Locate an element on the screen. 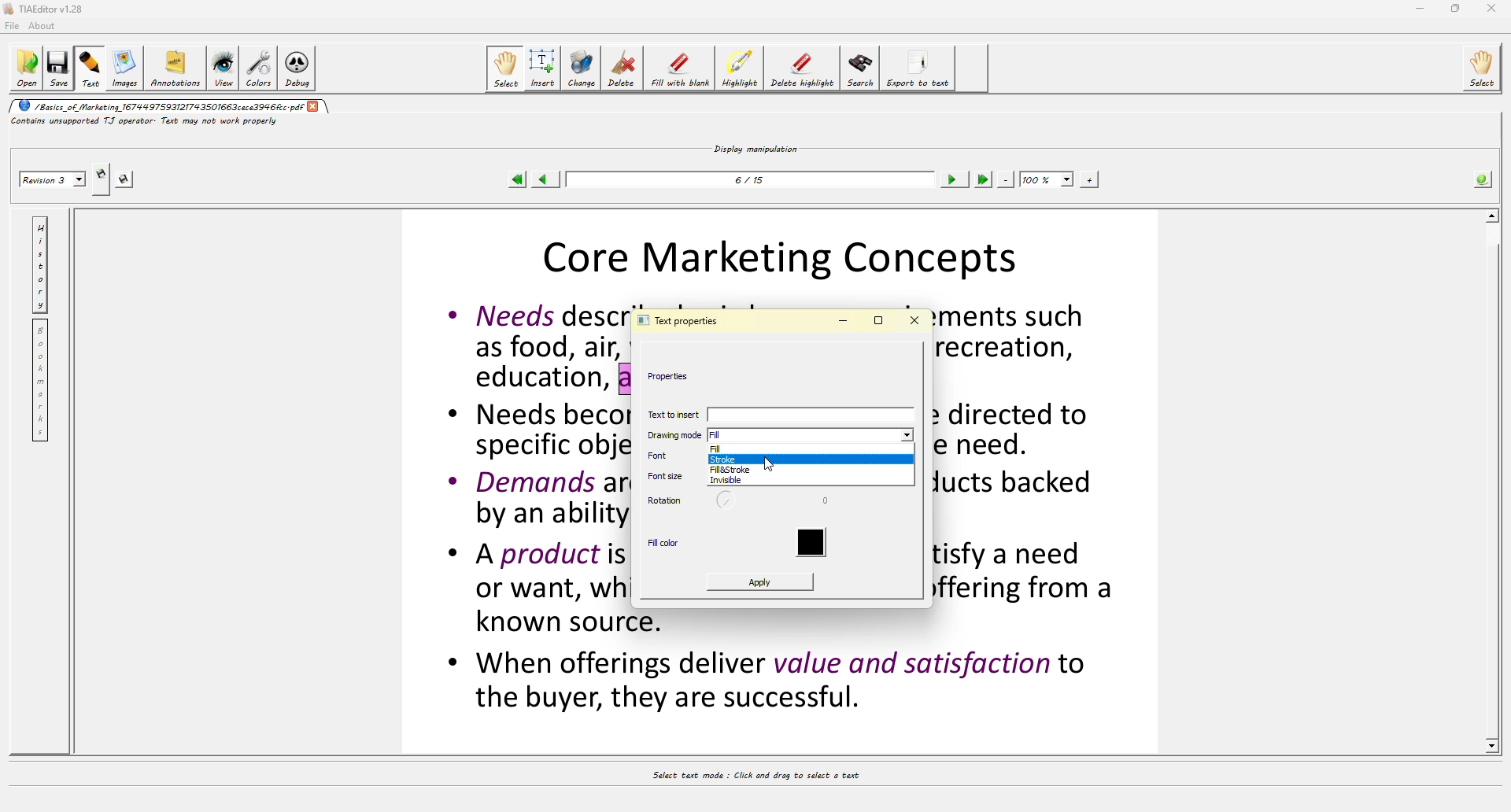 The height and width of the screenshot is (812, 1511). delete is located at coordinates (623, 67).